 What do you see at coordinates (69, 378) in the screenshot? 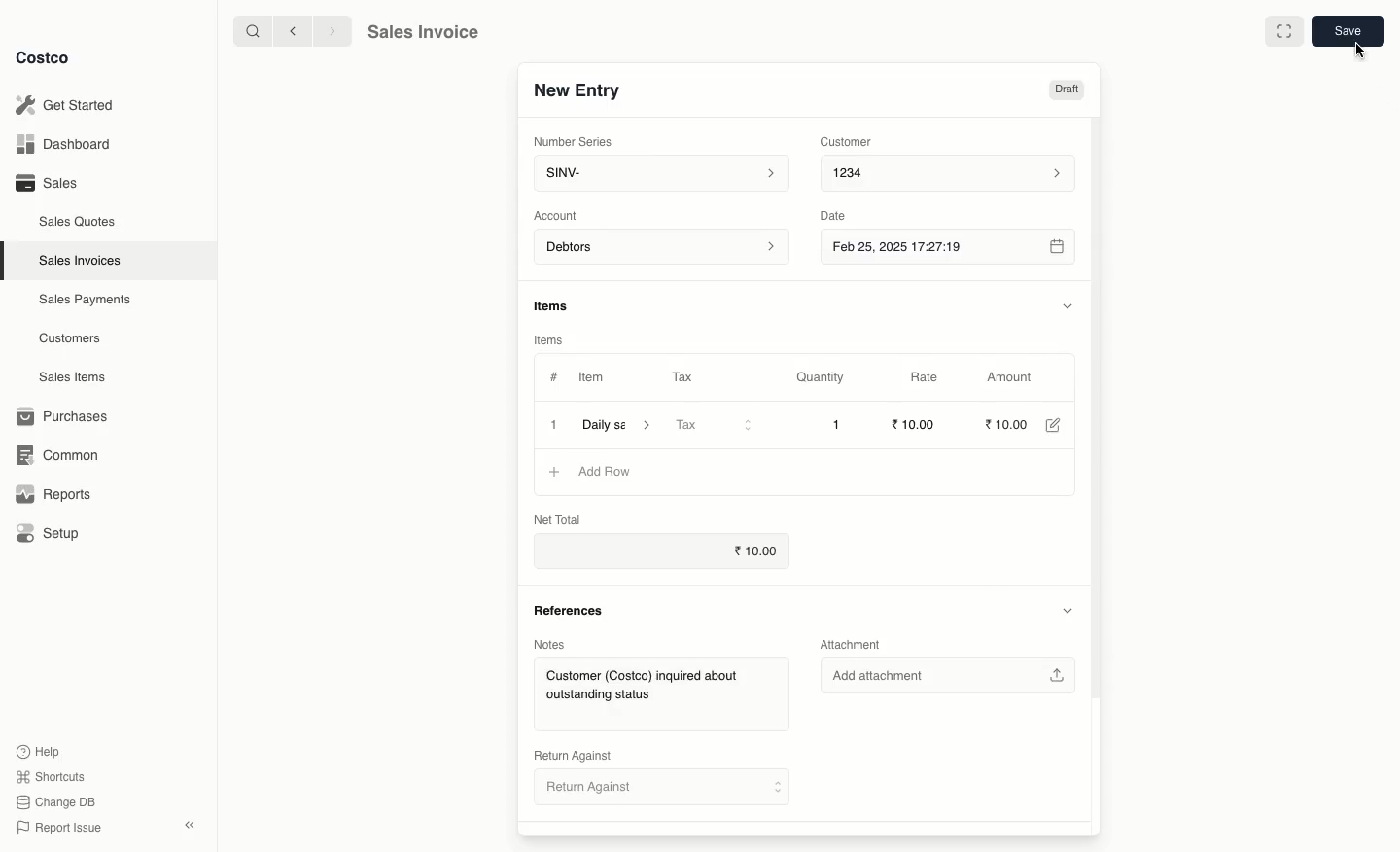
I see `Sales Items.` at bounding box center [69, 378].